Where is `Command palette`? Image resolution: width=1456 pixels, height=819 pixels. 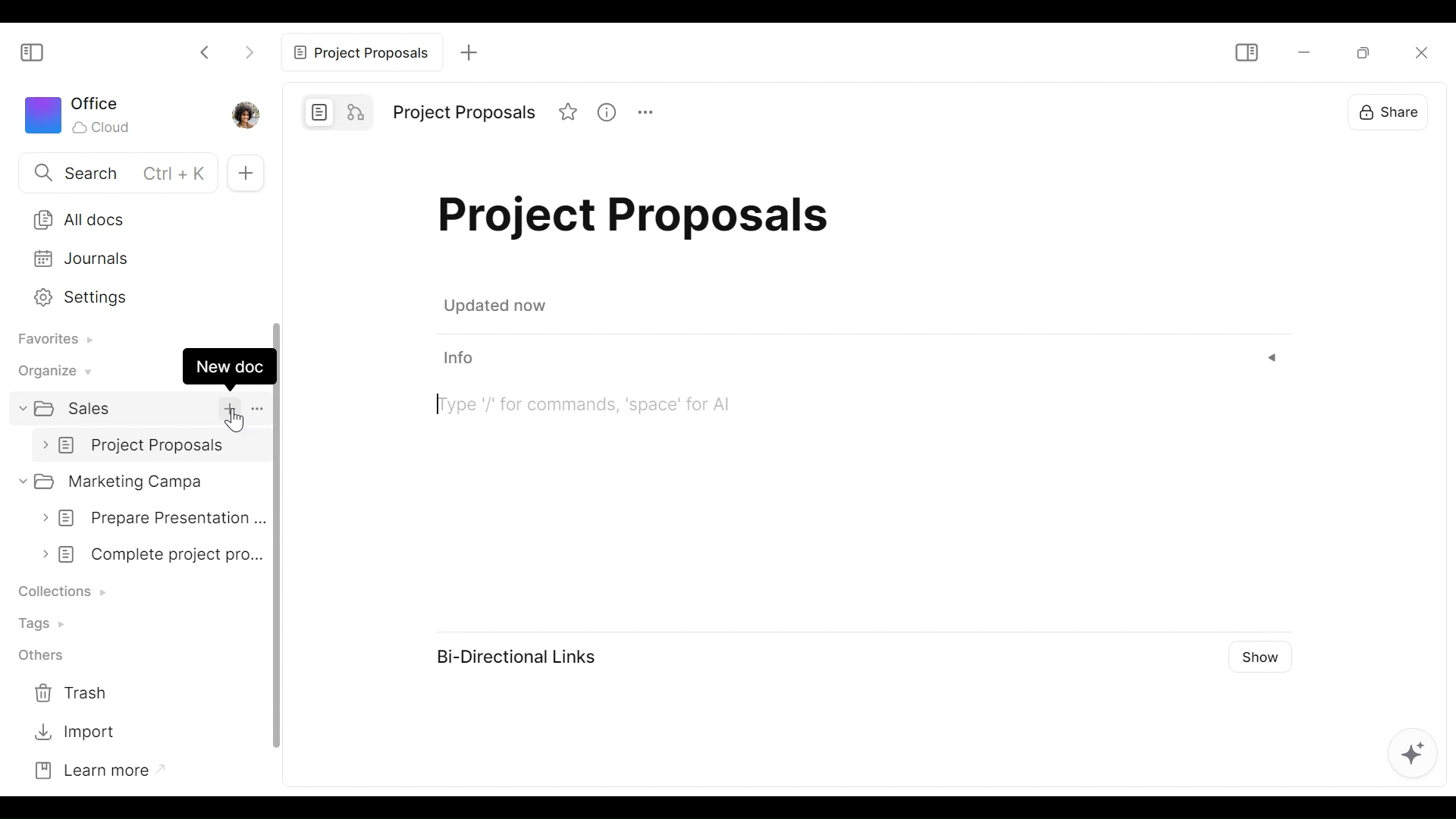 Command palette is located at coordinates (594, 406).